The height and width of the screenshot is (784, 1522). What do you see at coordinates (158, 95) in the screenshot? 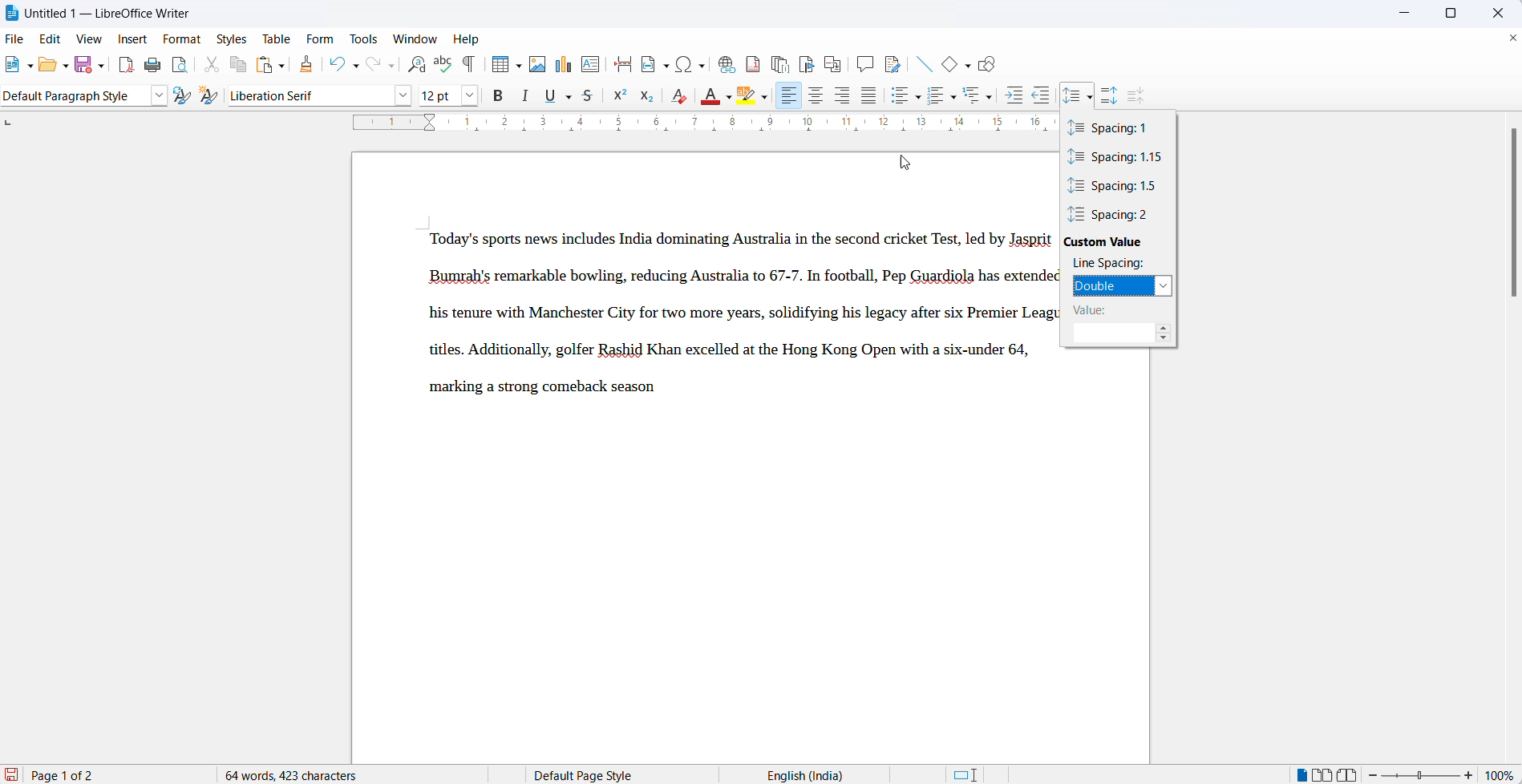
I see `style options` at bounding box center [158, 95].